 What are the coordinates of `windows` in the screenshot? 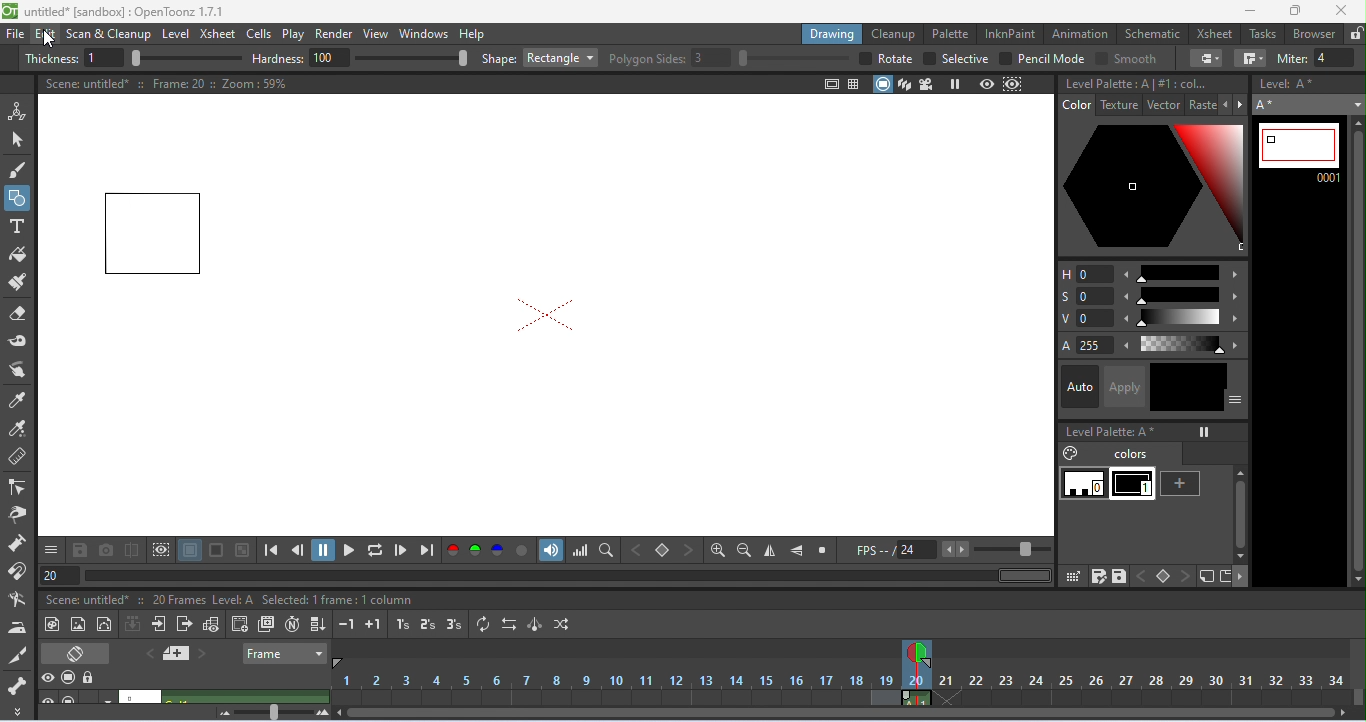 It's located at (422, 34).